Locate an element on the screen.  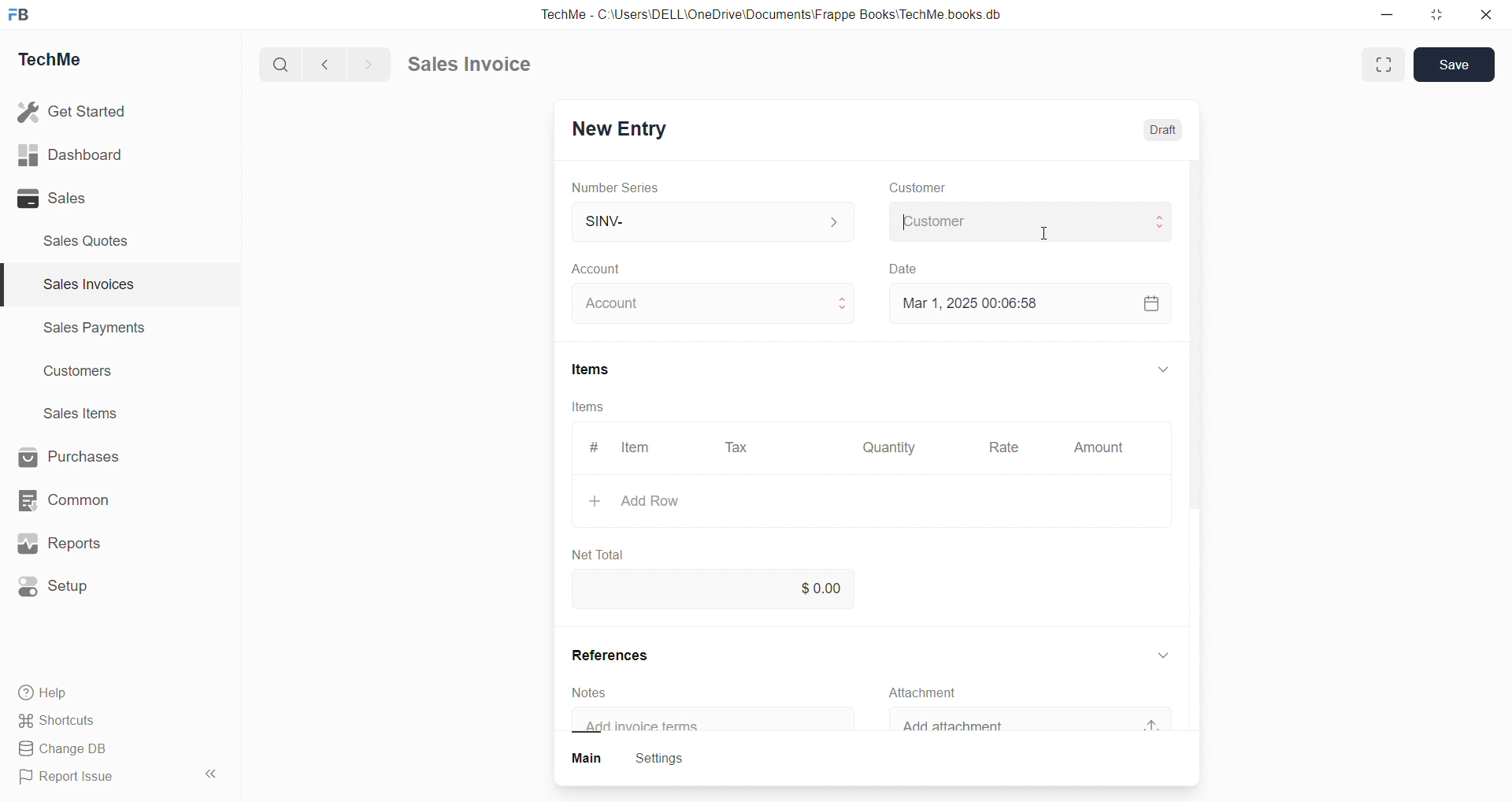
Amount is located at coordinates (1098, 448).